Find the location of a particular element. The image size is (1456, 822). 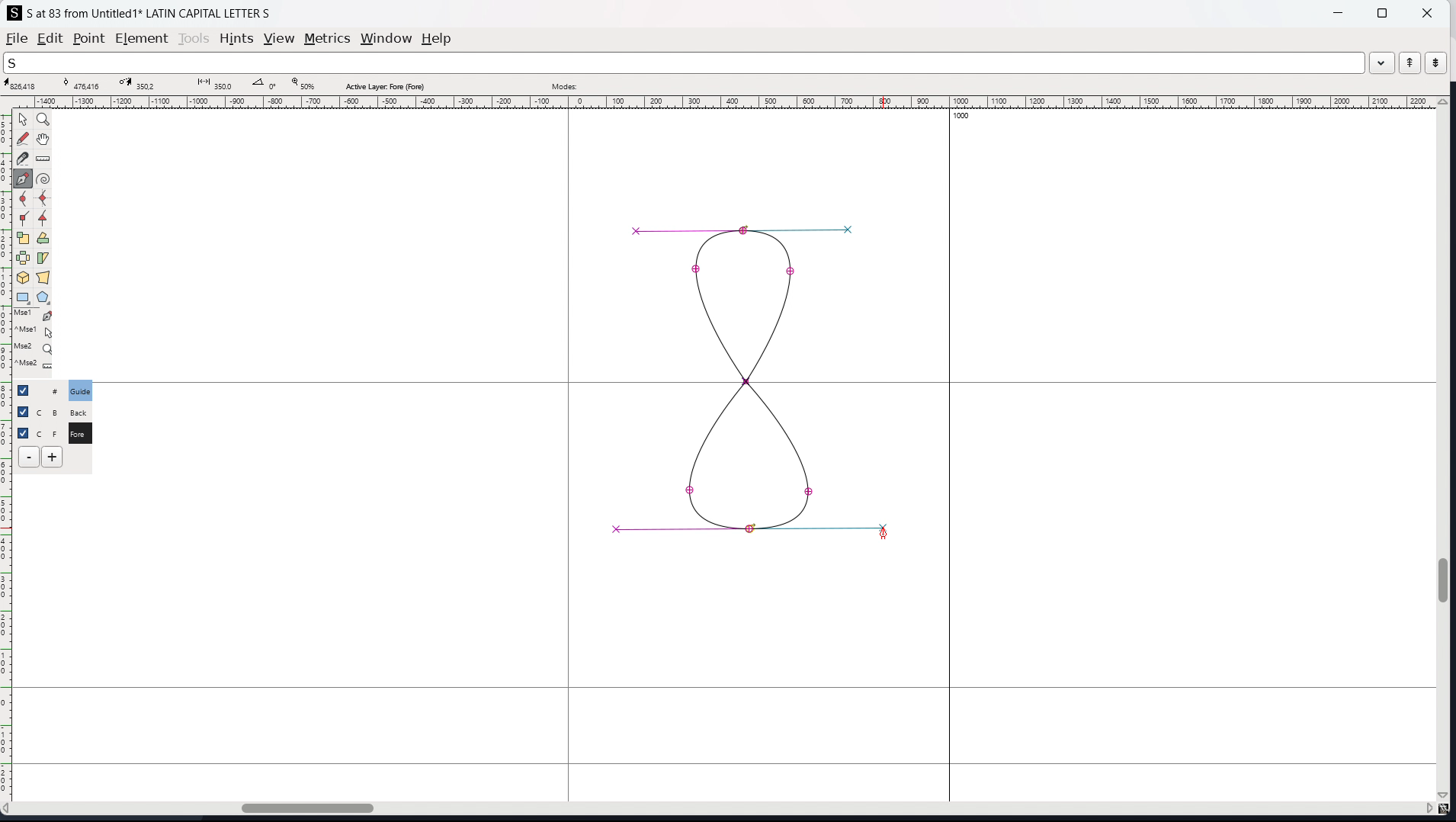

checkbox is located at coordinates (27, 390).